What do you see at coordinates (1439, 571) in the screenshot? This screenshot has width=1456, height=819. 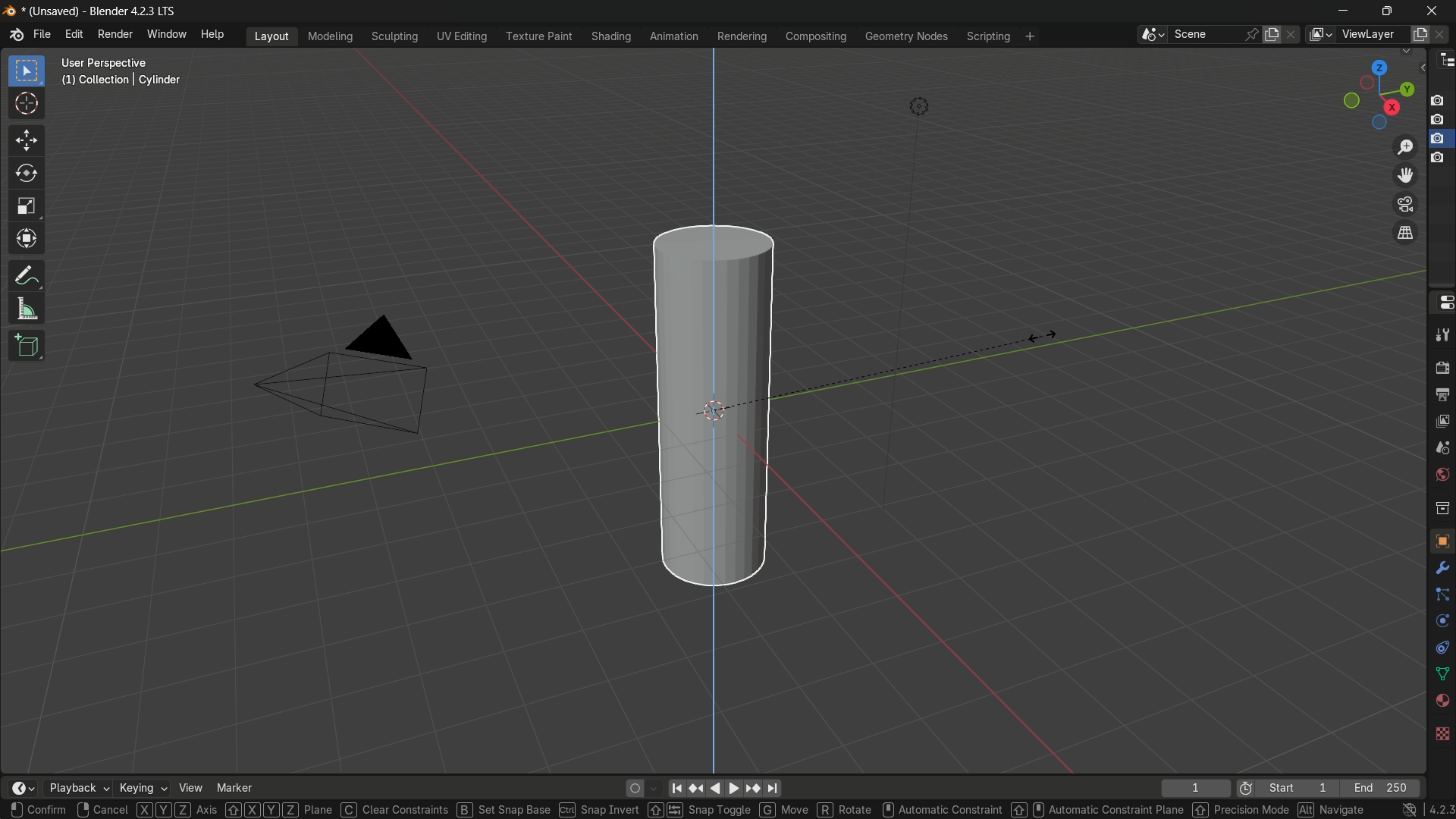 I see `tools` at bounding box center [1439, 571].